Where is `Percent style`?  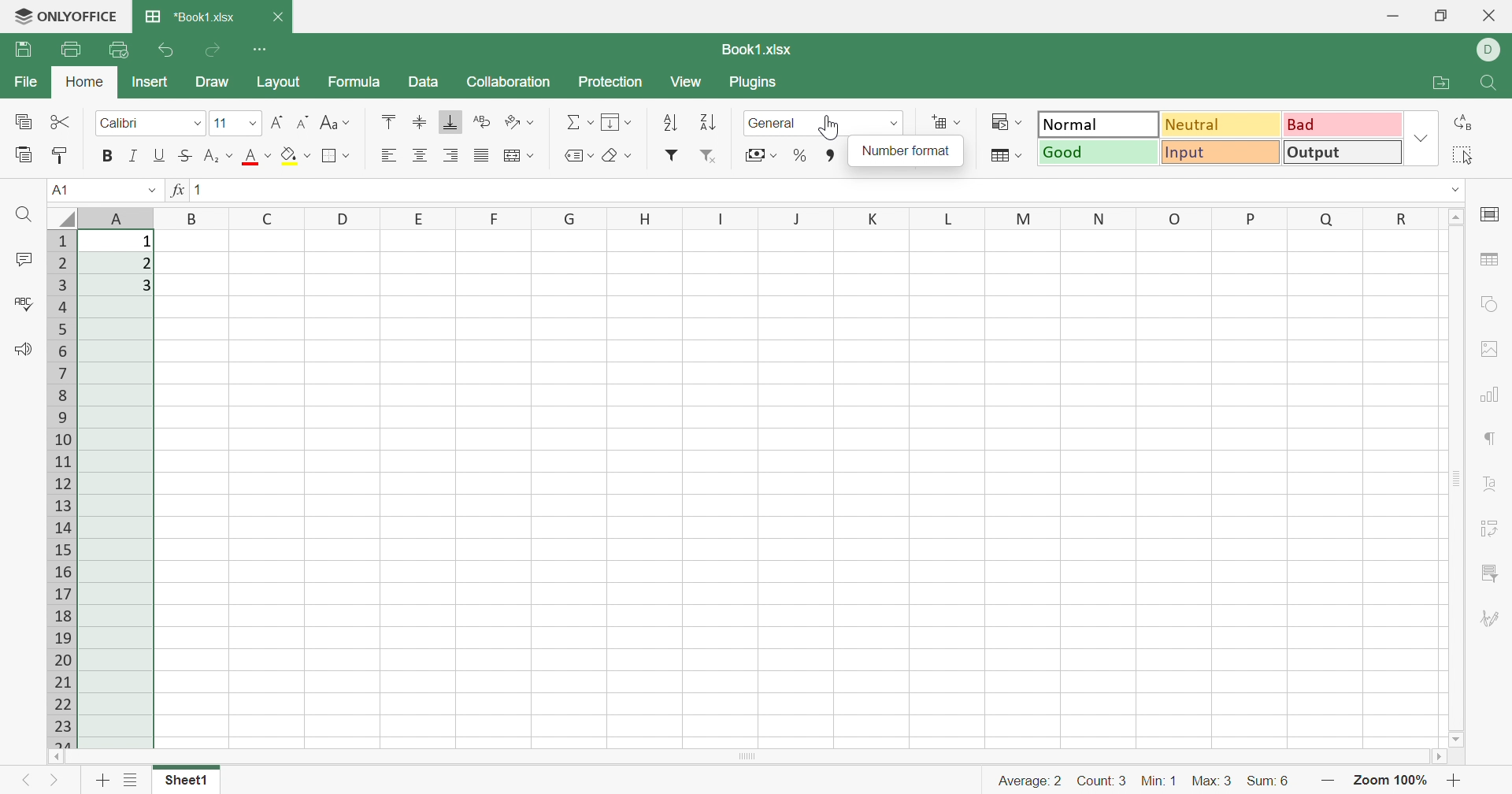
Percent style is located at coordinates (799, 156).